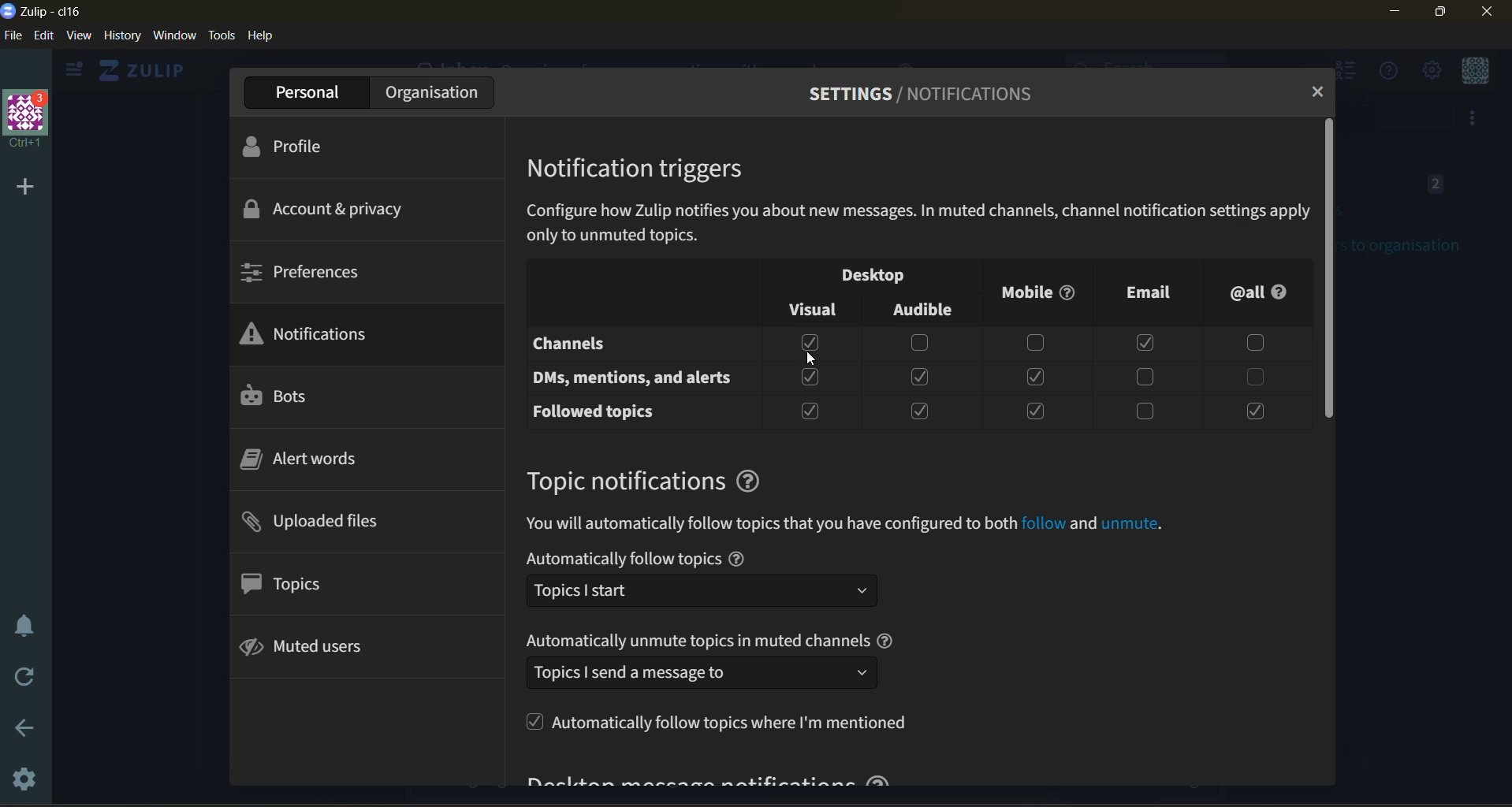 This screenshot has height=807, width=1512. I want to click on checkbox, so click(811, 377).